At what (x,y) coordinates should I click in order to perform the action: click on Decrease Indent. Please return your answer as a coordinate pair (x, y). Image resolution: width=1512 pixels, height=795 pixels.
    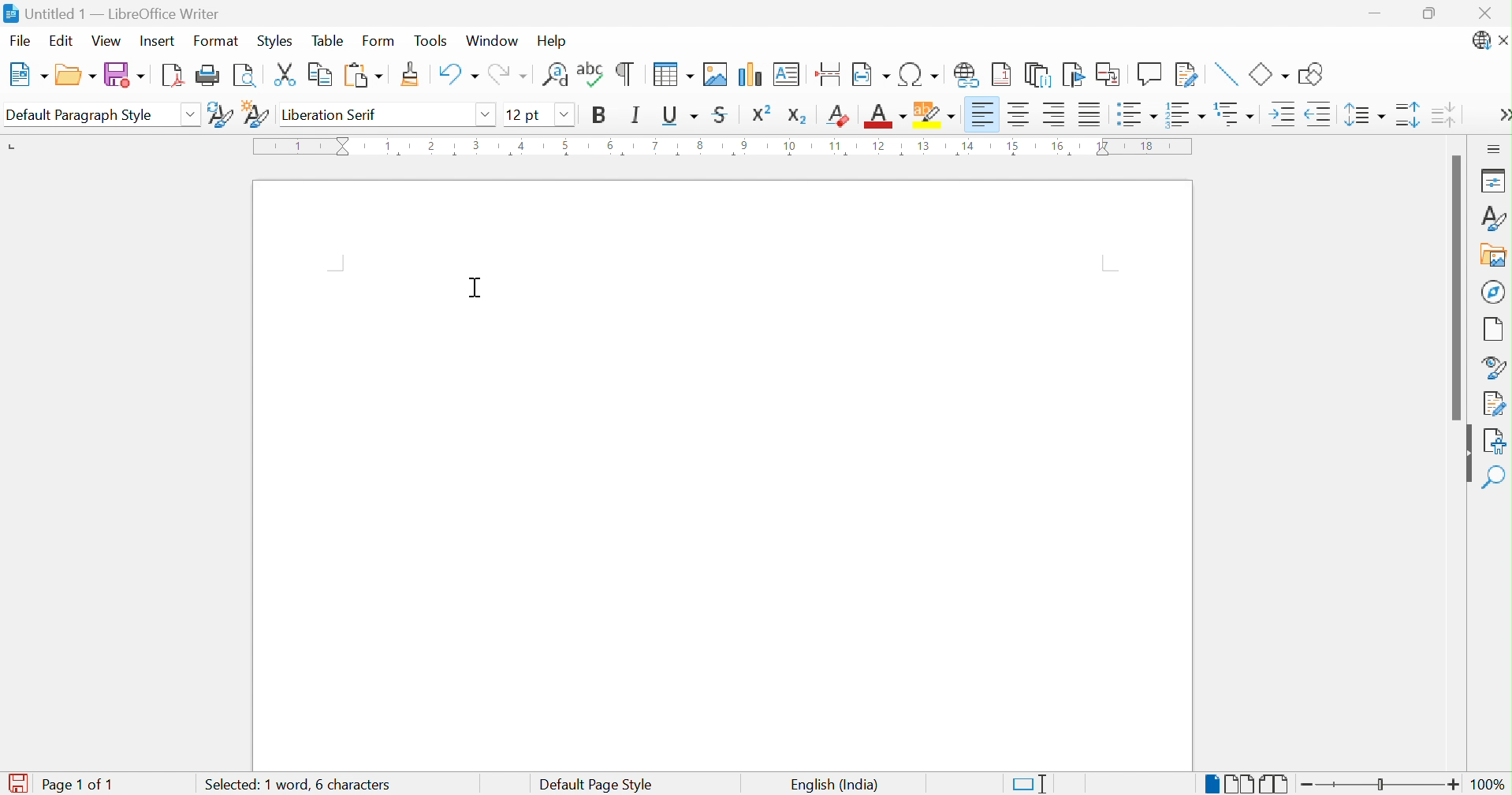
    Looking at the image, I should click on (1318, 116).